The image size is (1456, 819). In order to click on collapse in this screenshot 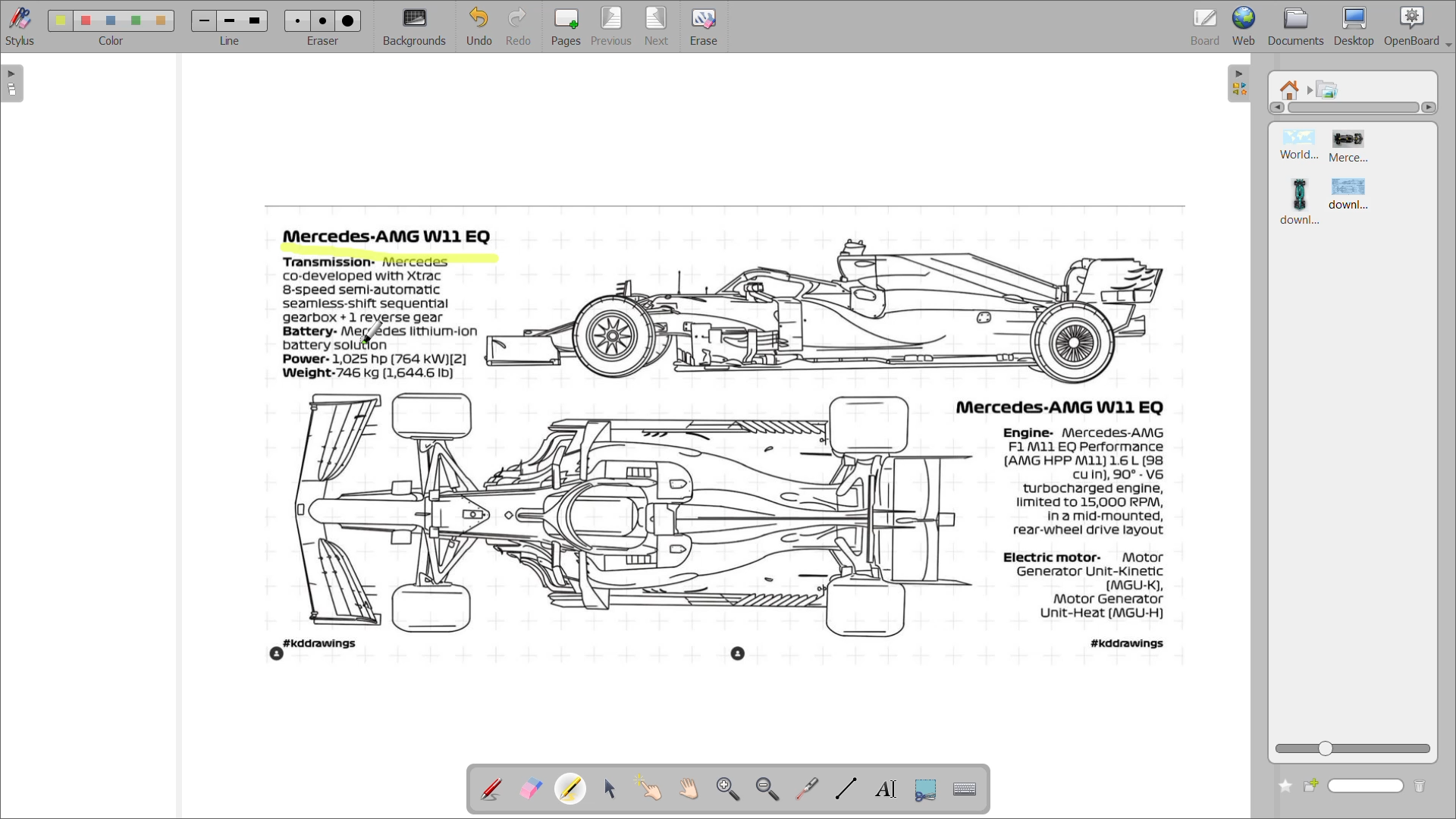, I will do `click(1238, 84)`.